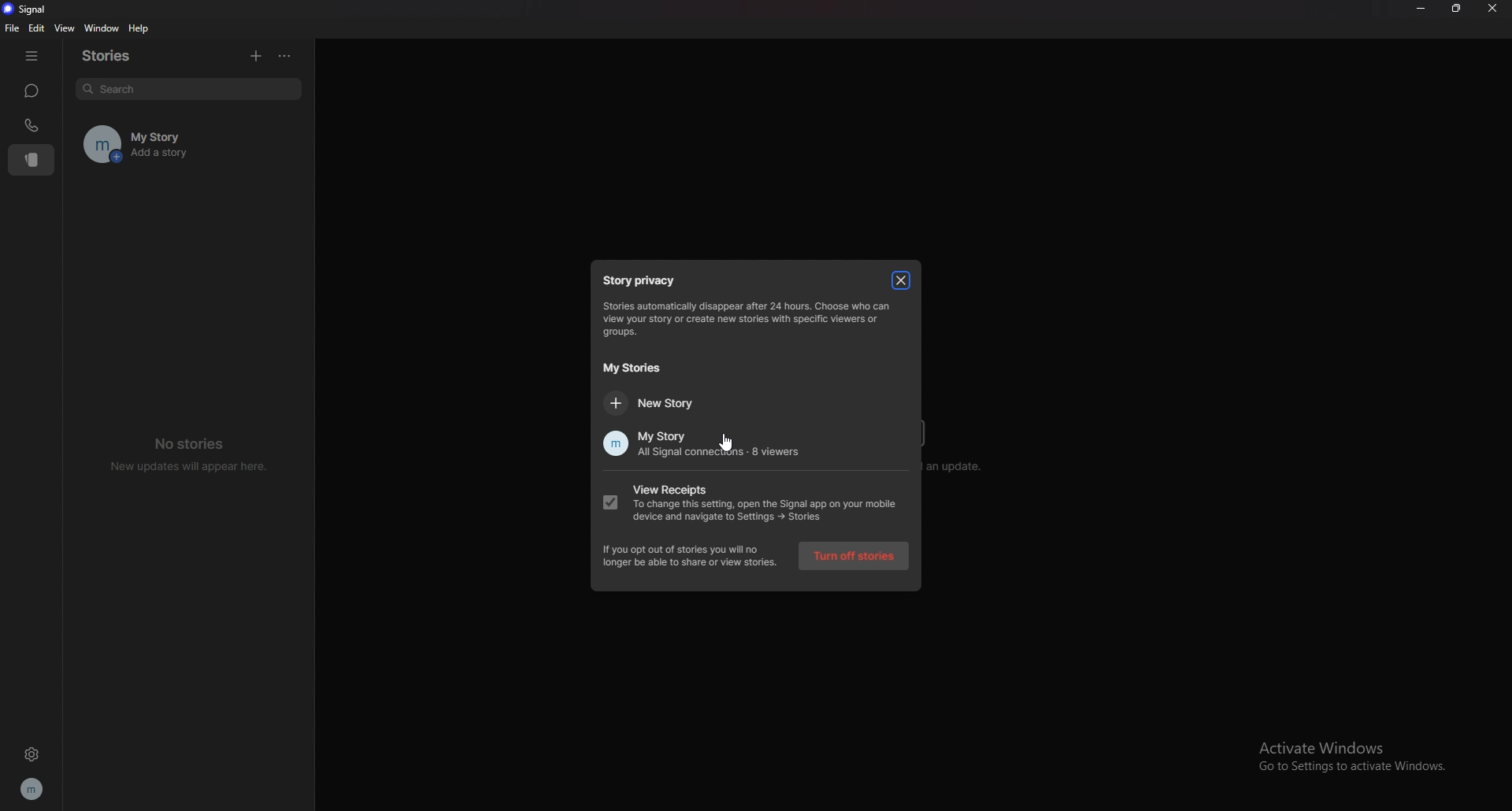  Describe the element at coordinates (639, 368) in the screenshot. I see `my stories` at that location.